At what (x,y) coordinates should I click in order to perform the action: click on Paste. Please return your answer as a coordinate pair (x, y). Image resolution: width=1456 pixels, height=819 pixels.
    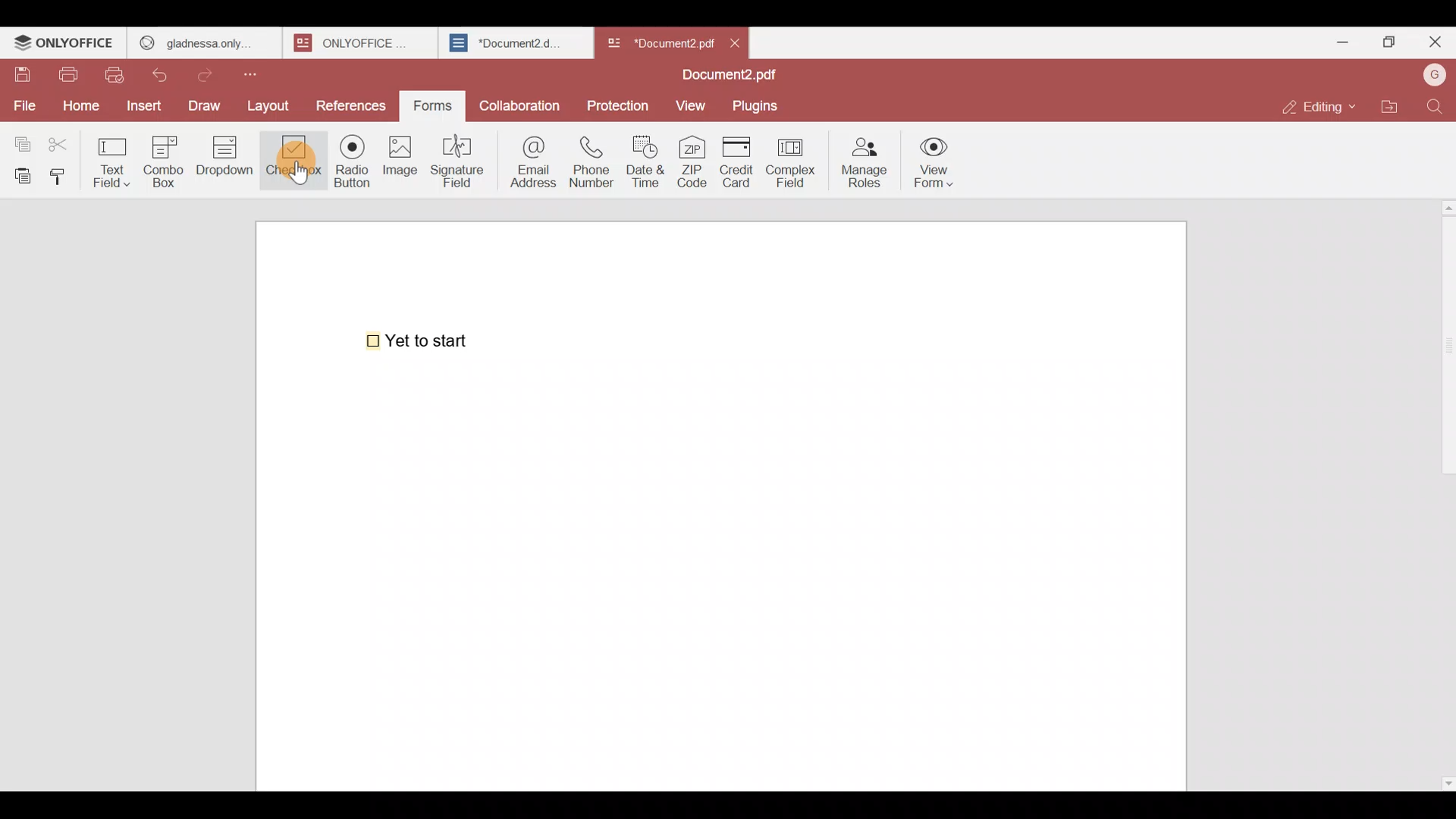
    Looking at the image, I should click on (20, 174).